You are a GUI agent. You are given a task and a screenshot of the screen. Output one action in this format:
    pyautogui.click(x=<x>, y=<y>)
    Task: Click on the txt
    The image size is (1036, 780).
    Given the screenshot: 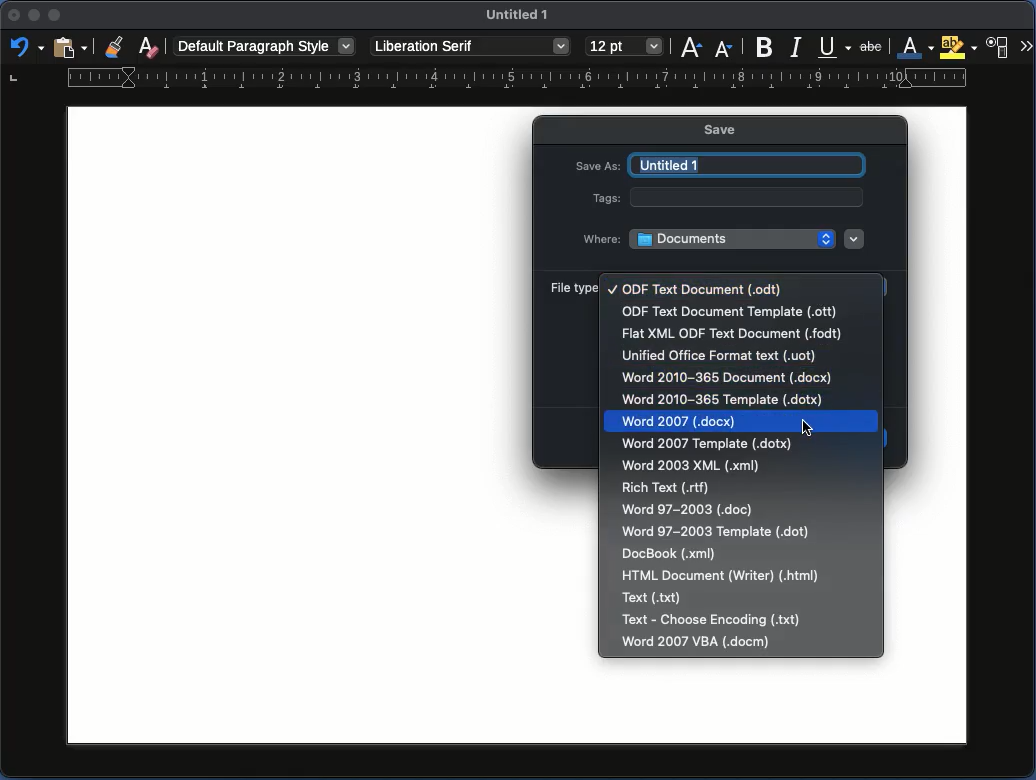 What is the action you would take?
    pyautogui.click(x=654, y=597)
    